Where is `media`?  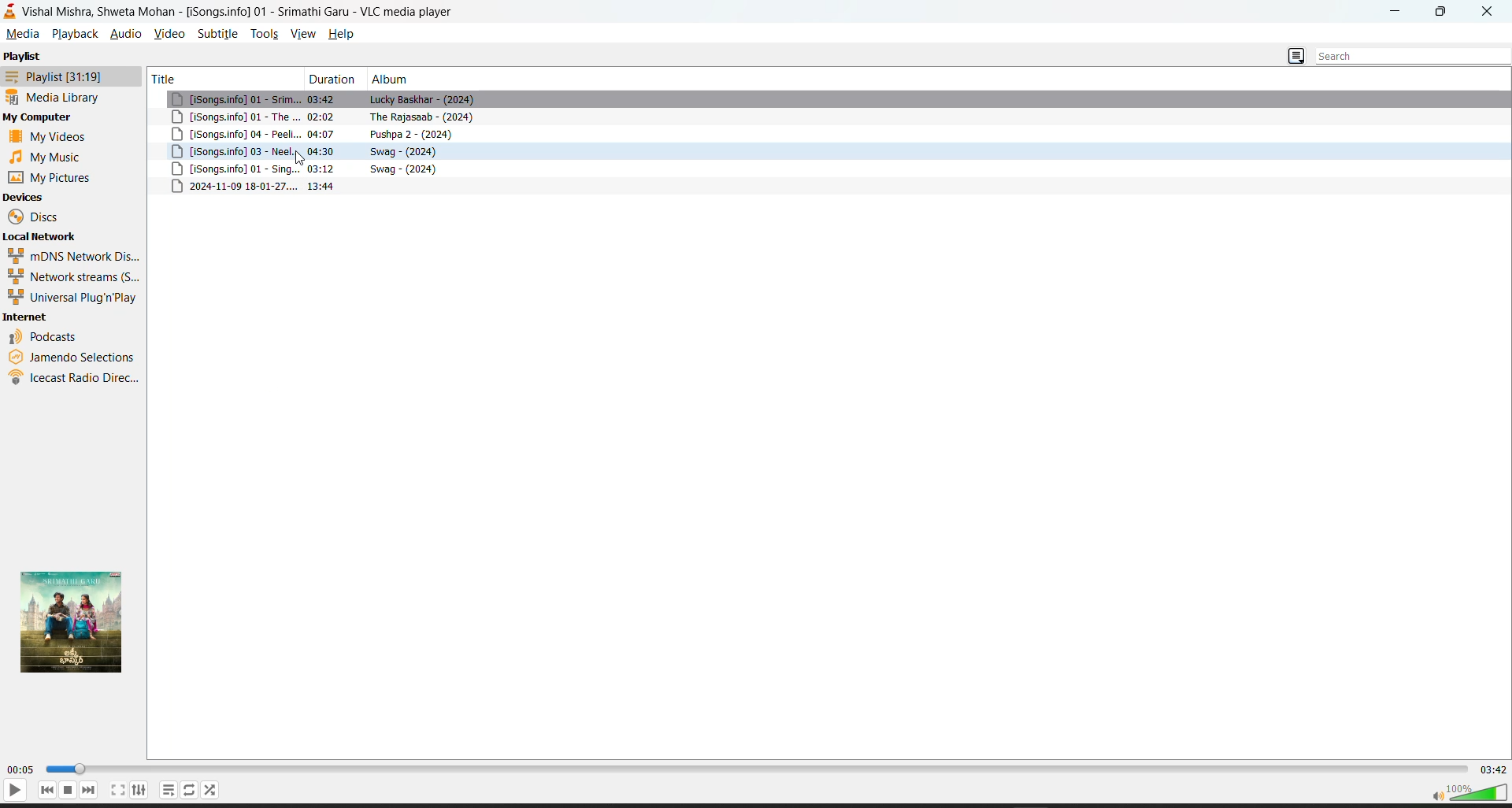 media is located at coordinates (22, 35).